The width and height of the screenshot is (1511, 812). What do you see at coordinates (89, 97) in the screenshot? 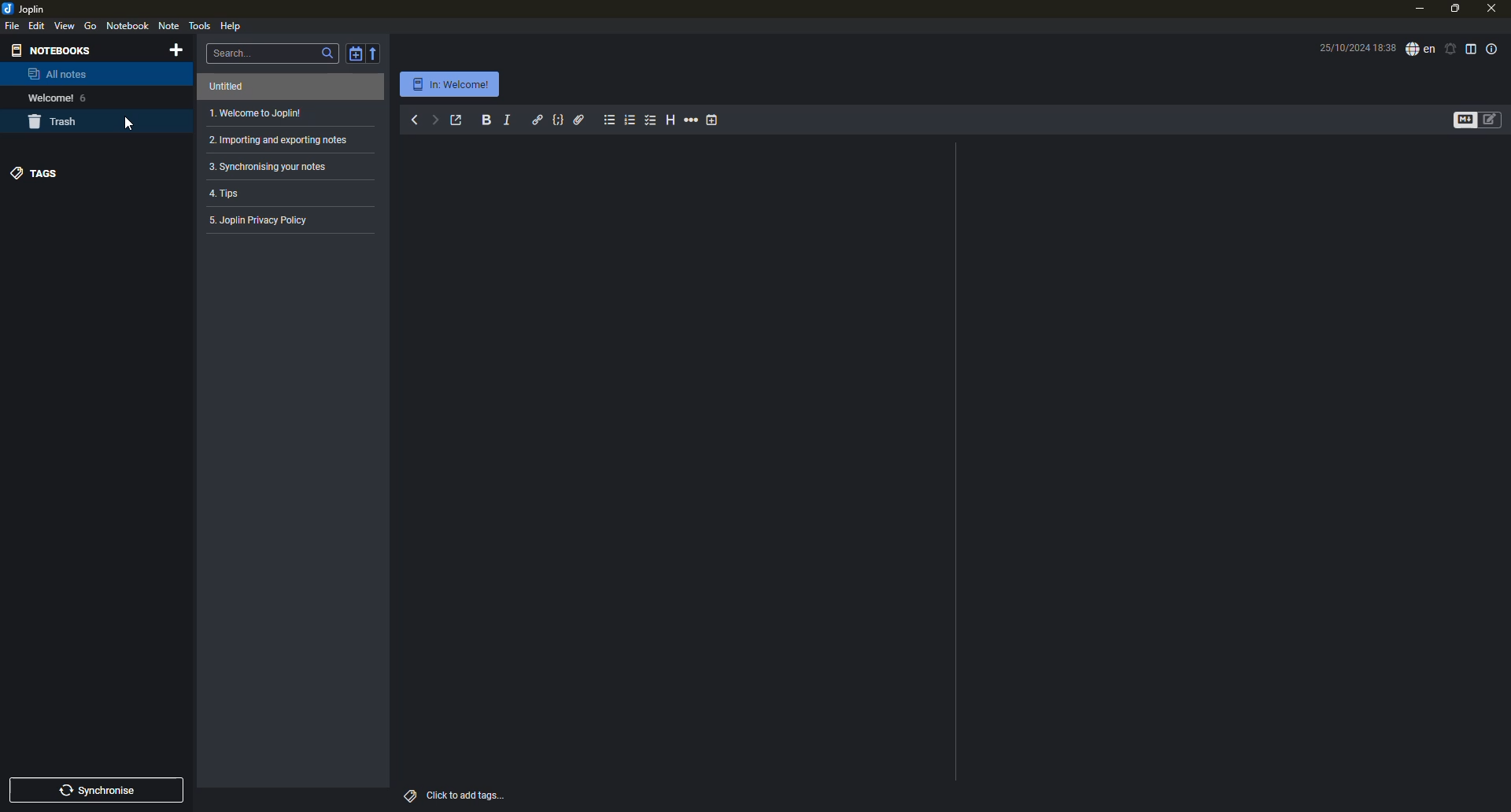
I see `6` at bounding box center [89, 97].